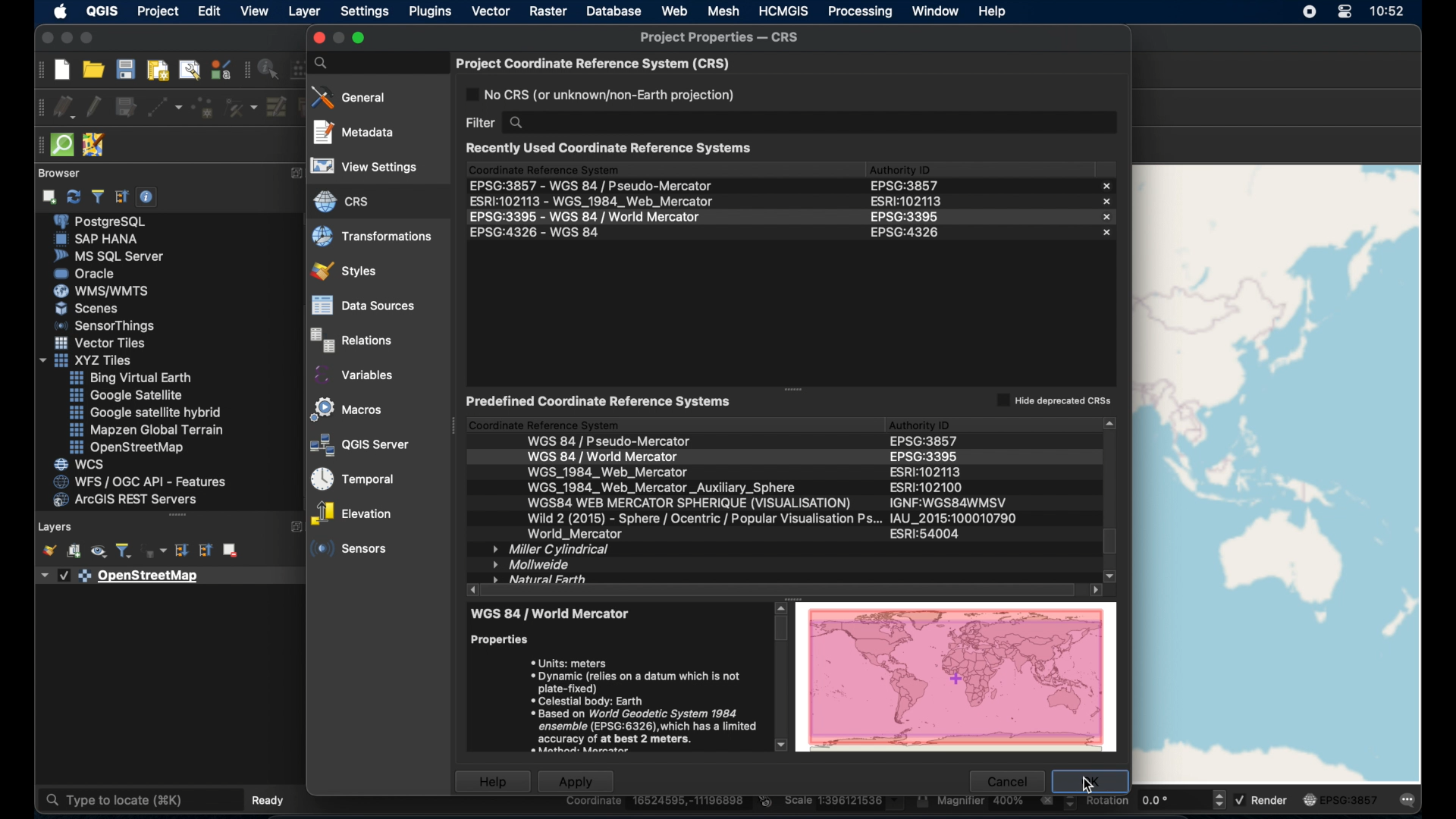 The height and width of the screenshot is (819, 1456). What do you see at coordinates (545, 422) in the screenshot?
I see `coordinate reference system` at bounding box center [545, 422].